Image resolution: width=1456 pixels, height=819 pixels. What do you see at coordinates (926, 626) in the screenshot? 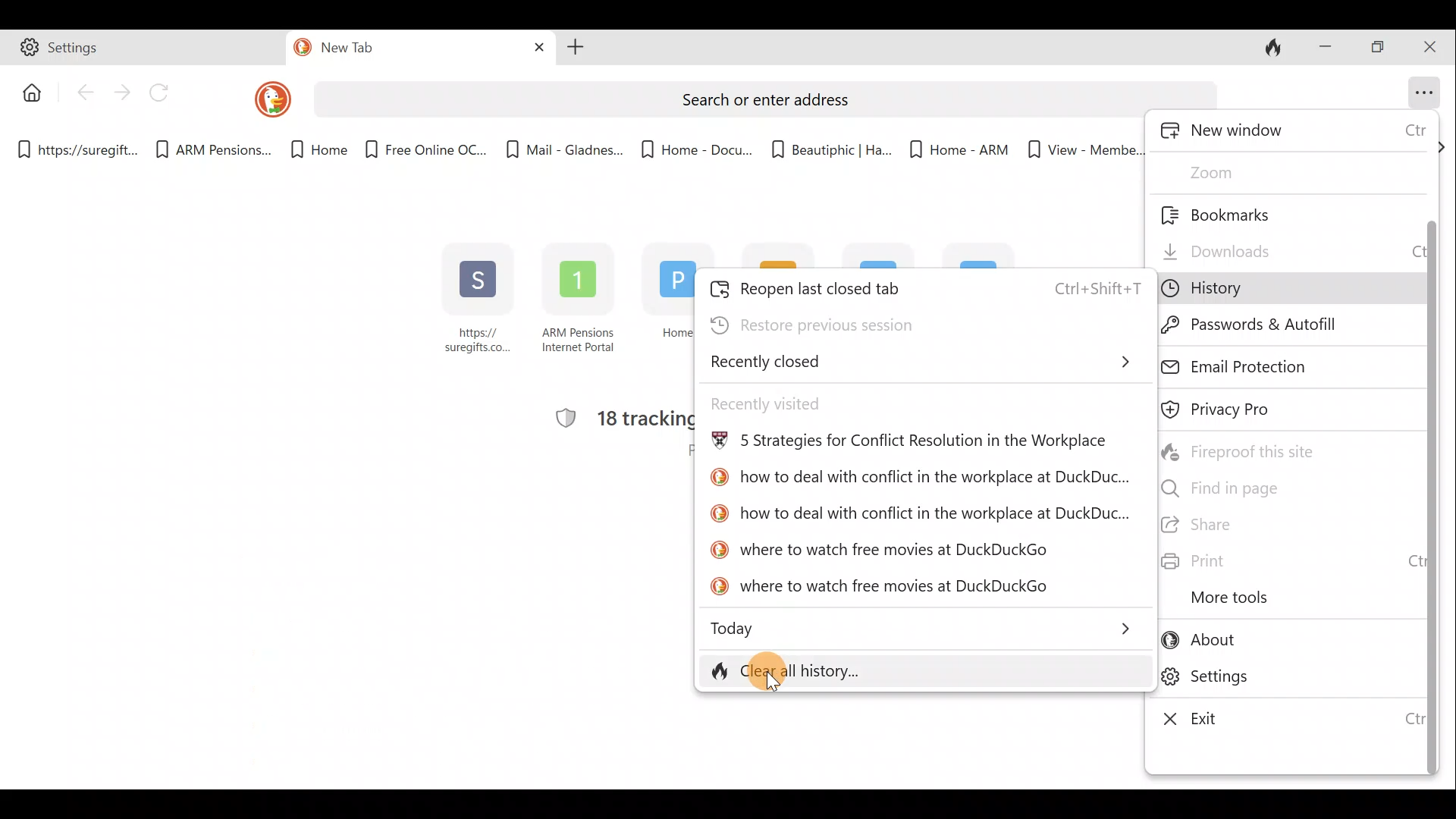
I see `Today` at bounding box center [926, 626].